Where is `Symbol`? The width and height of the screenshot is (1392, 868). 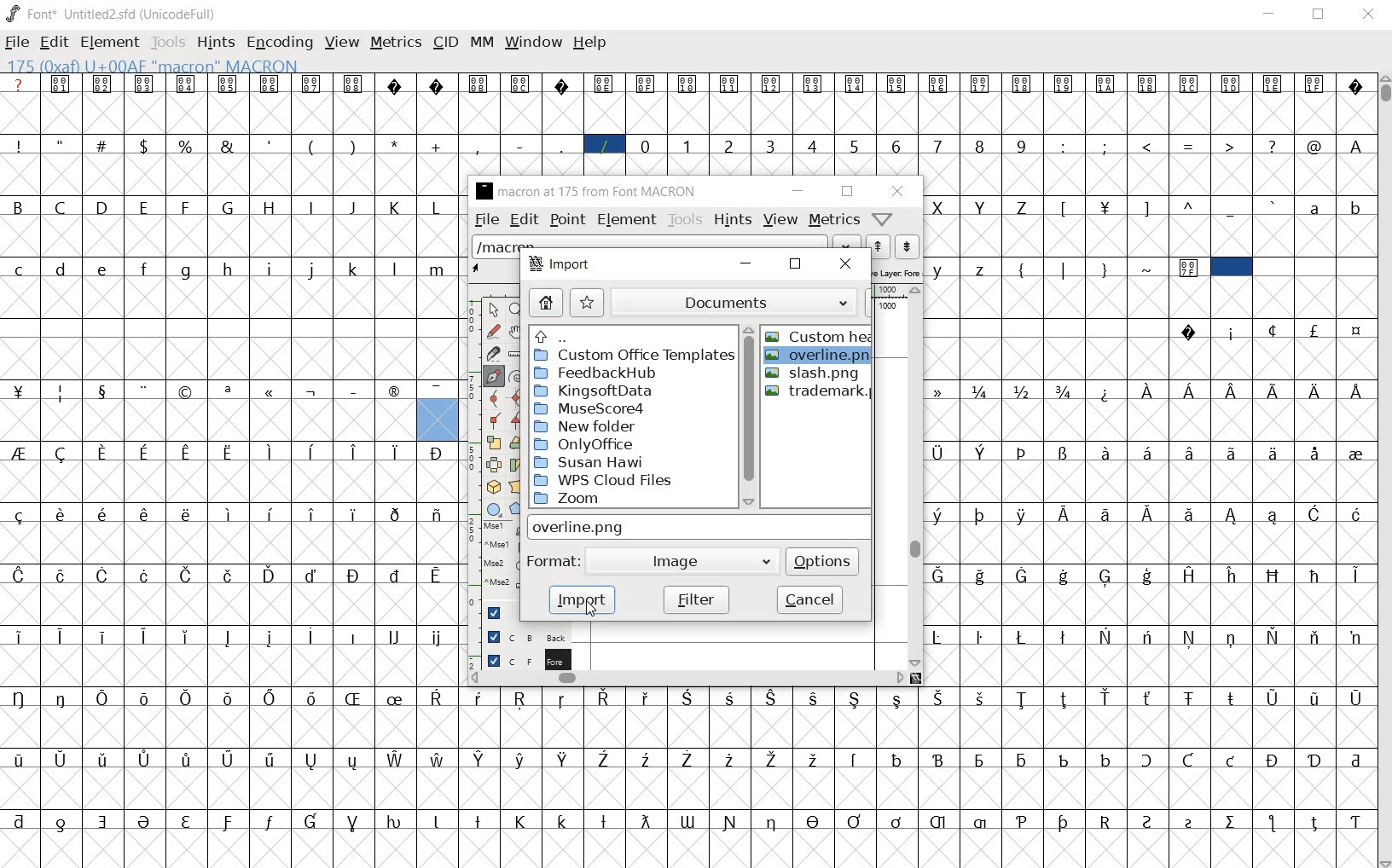 Symbol is located at coordinates (229, 84).